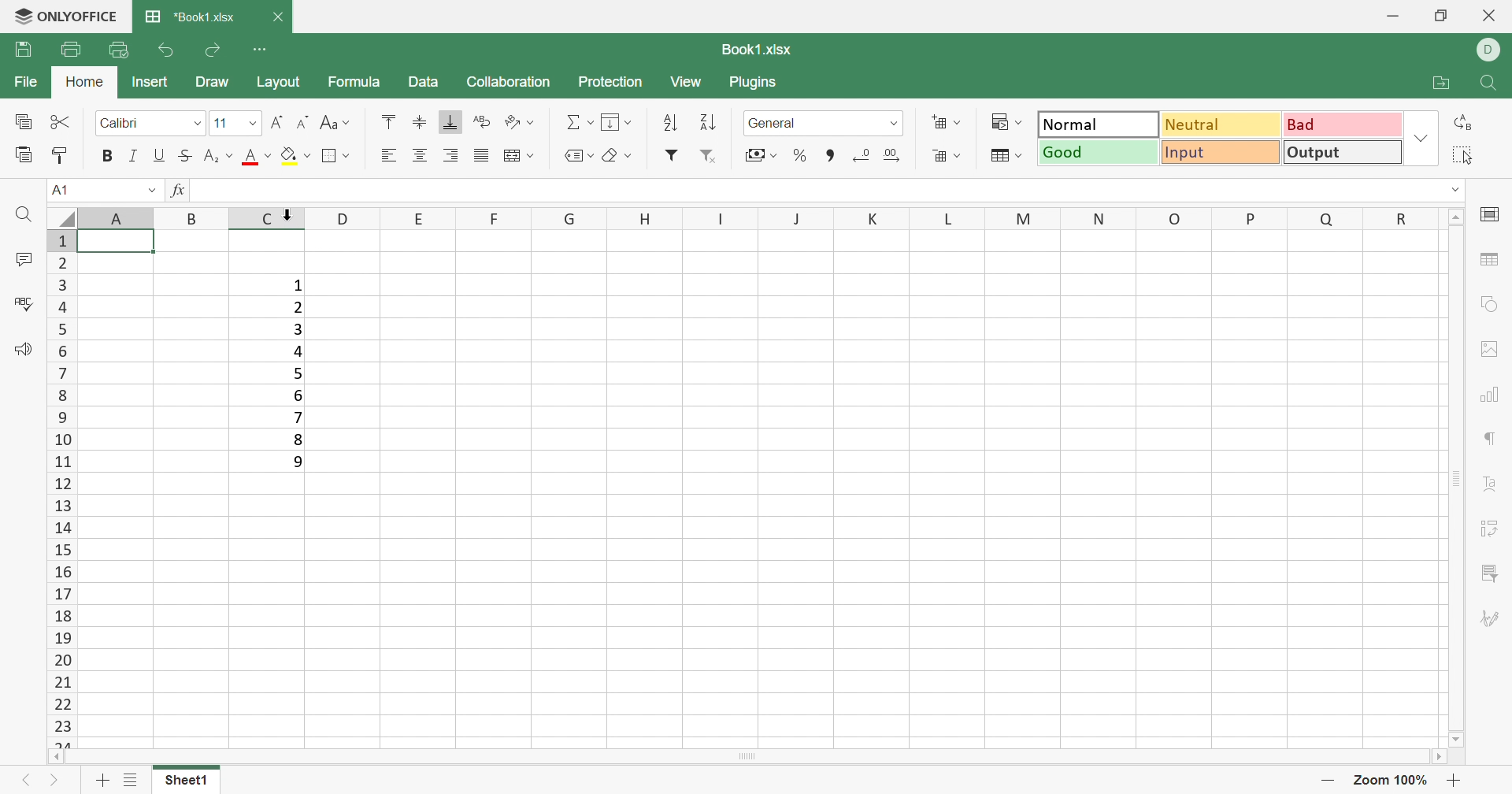 The height and width of the screenshot is (794, 1512). Describe the element at coordinates (68, 50) in the screenshot. I see `Print` at that location.